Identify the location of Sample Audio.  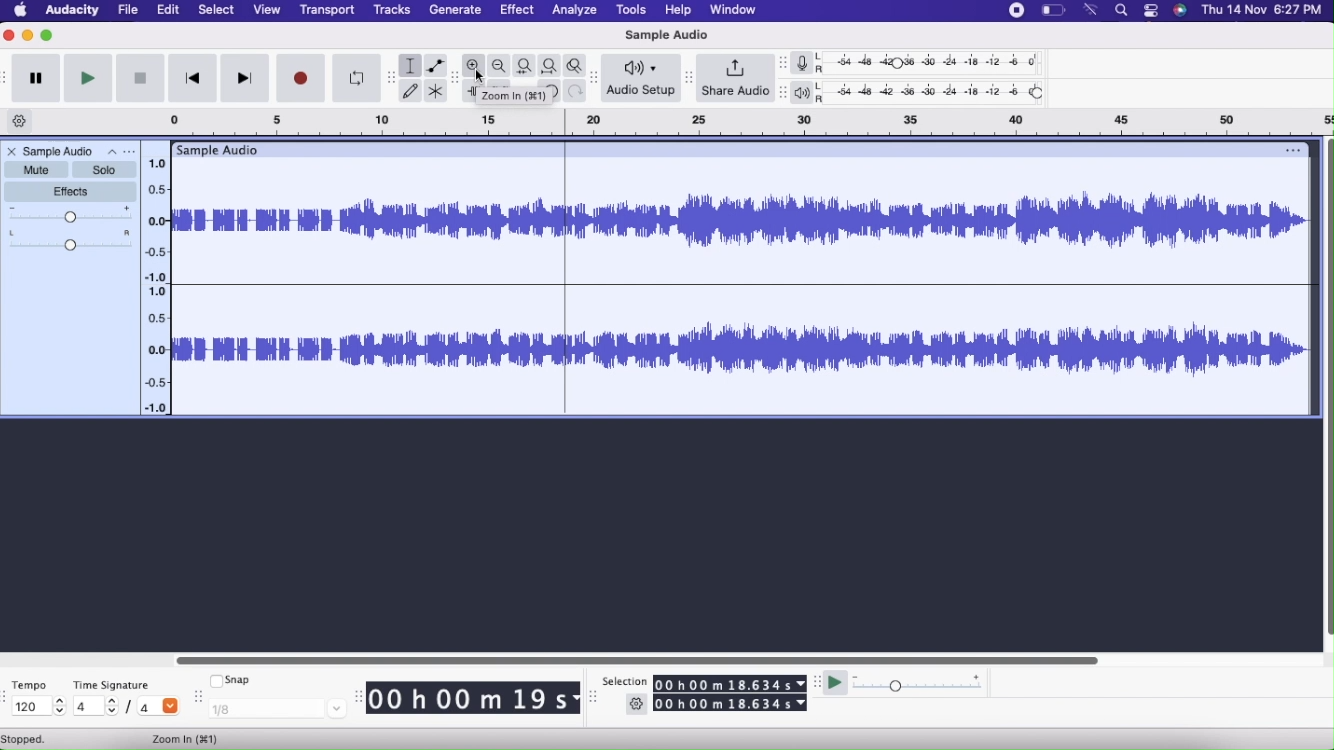
(667, 35).